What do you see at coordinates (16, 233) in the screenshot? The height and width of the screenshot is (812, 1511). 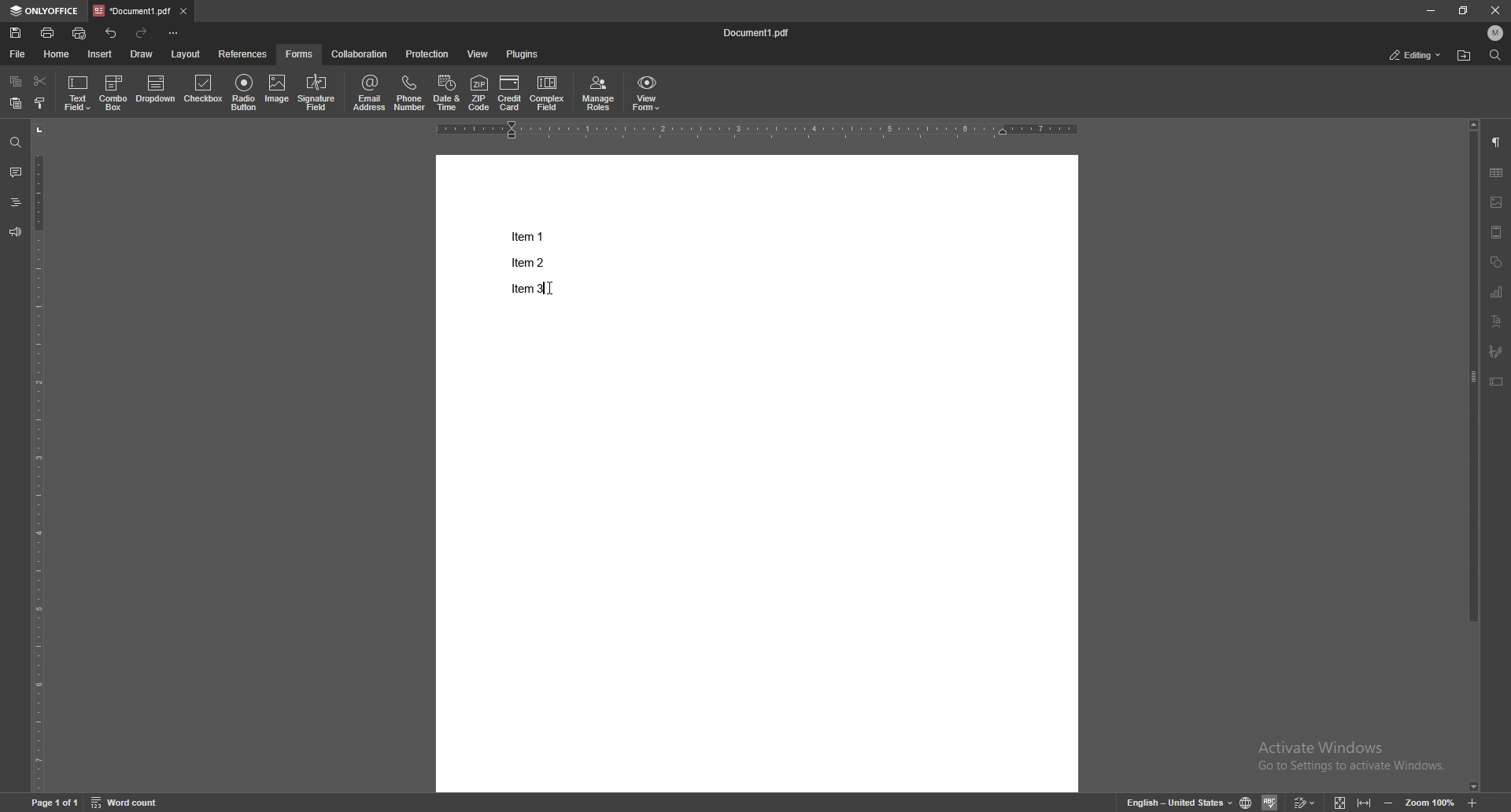 I see `feedback` at bounding box center [16, 233].